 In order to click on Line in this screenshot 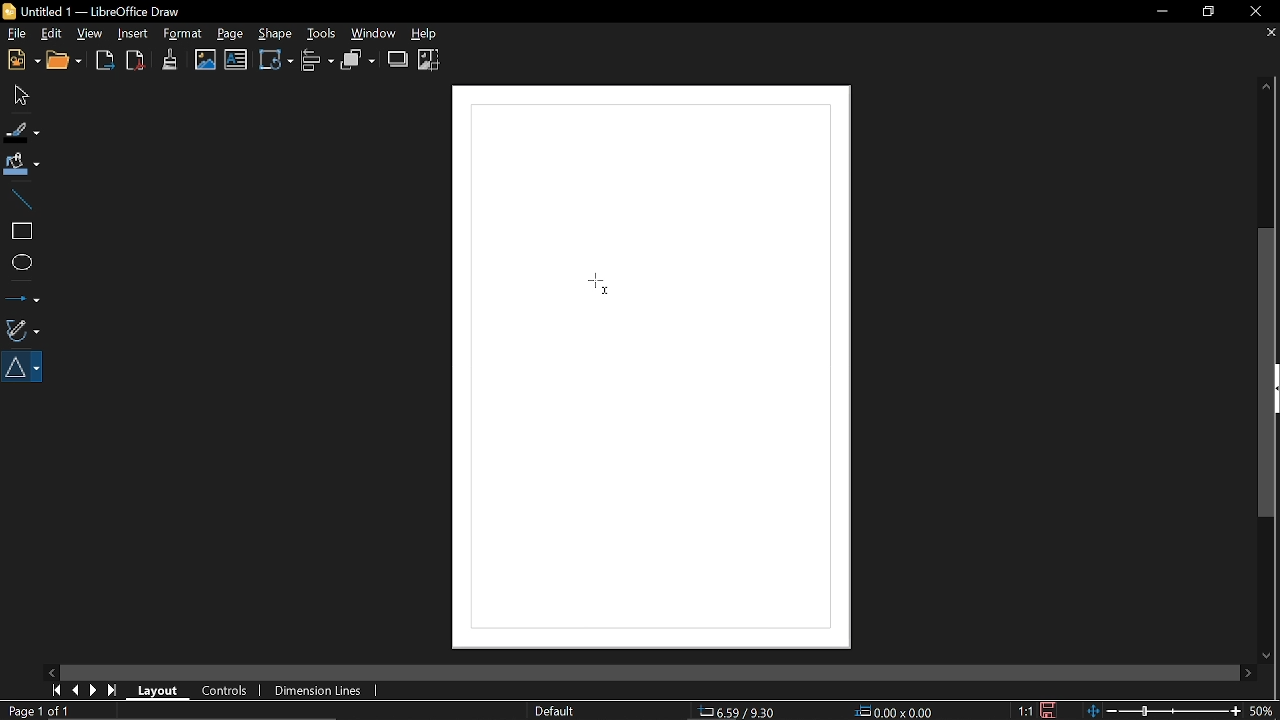, I will do `click(19, 198)`.